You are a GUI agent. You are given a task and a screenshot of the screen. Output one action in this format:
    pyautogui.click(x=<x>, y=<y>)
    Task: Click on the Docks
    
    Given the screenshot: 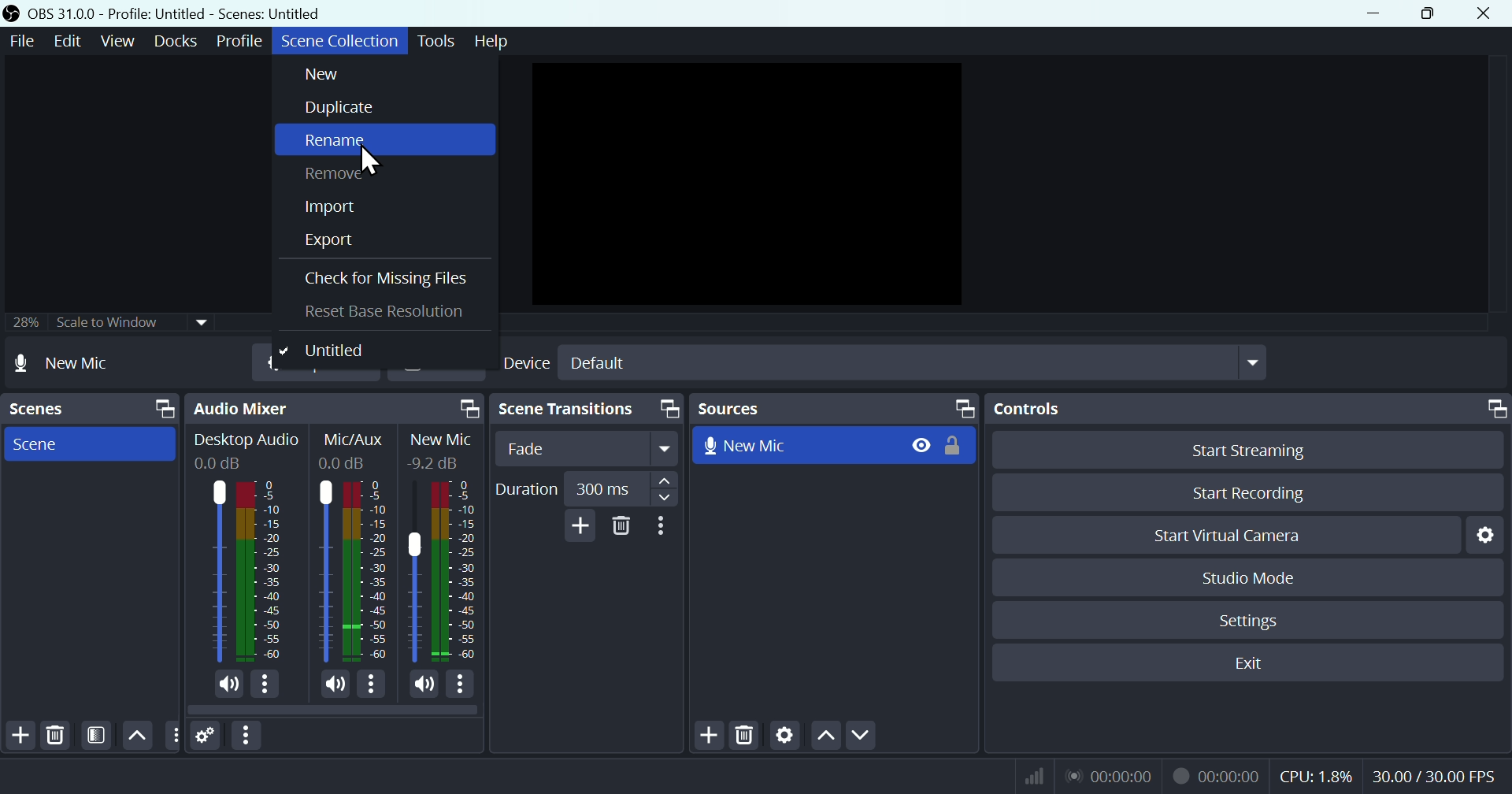 What is the action you would take?
    pyautogui.click(x=172, y=44)
    